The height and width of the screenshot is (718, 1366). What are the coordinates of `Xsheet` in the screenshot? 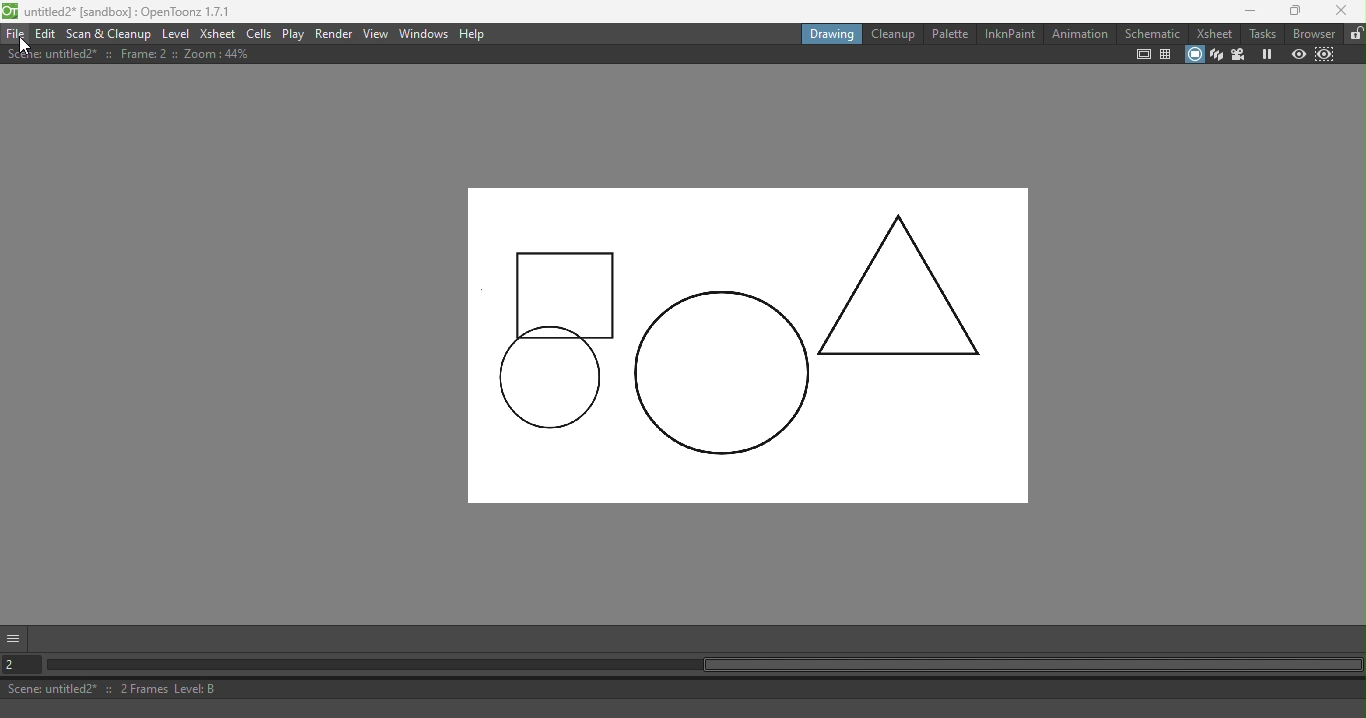 It's located at (218, 33).